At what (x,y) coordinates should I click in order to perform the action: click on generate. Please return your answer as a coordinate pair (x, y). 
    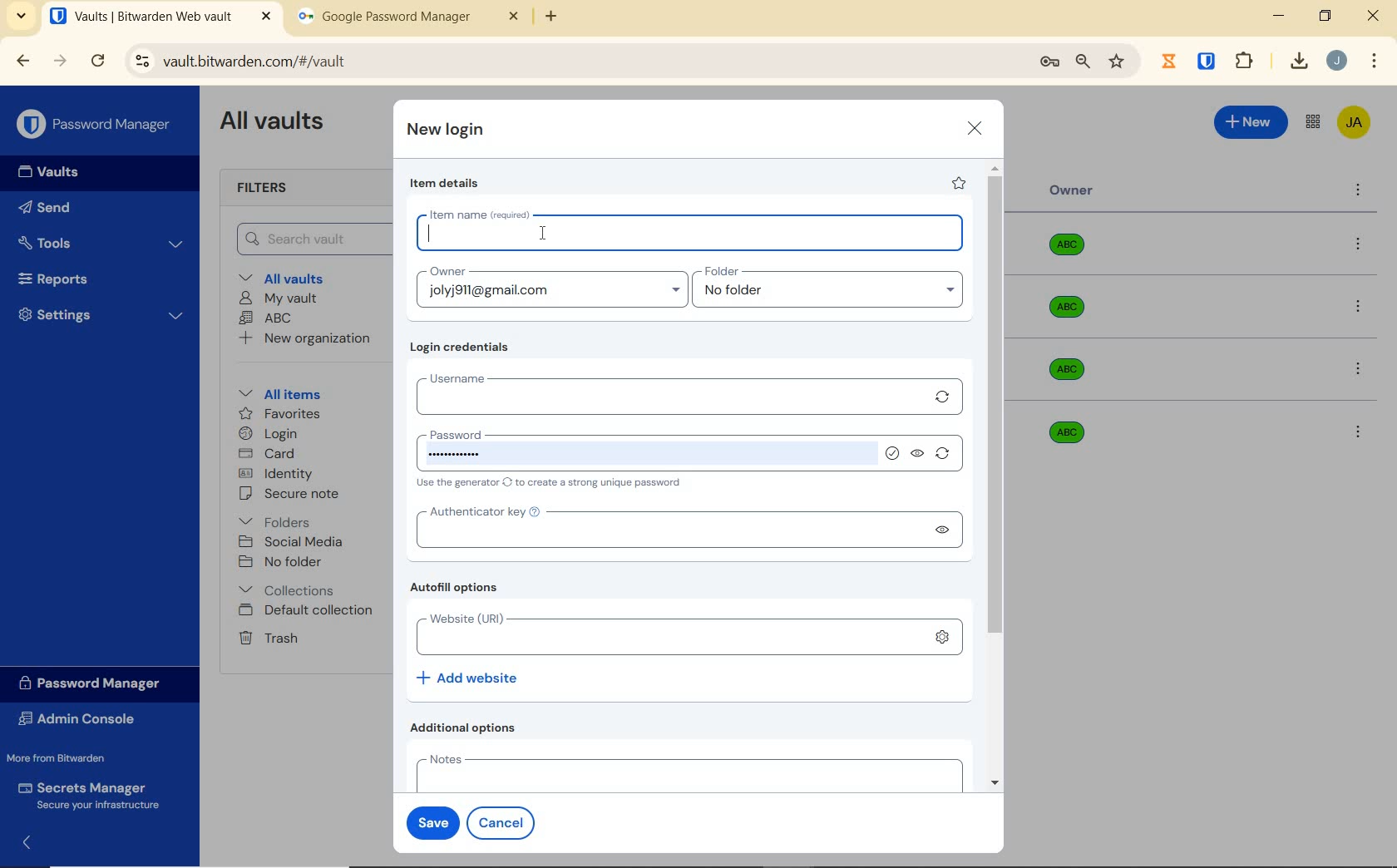
    Looking at the image, I should click on (943, 397).